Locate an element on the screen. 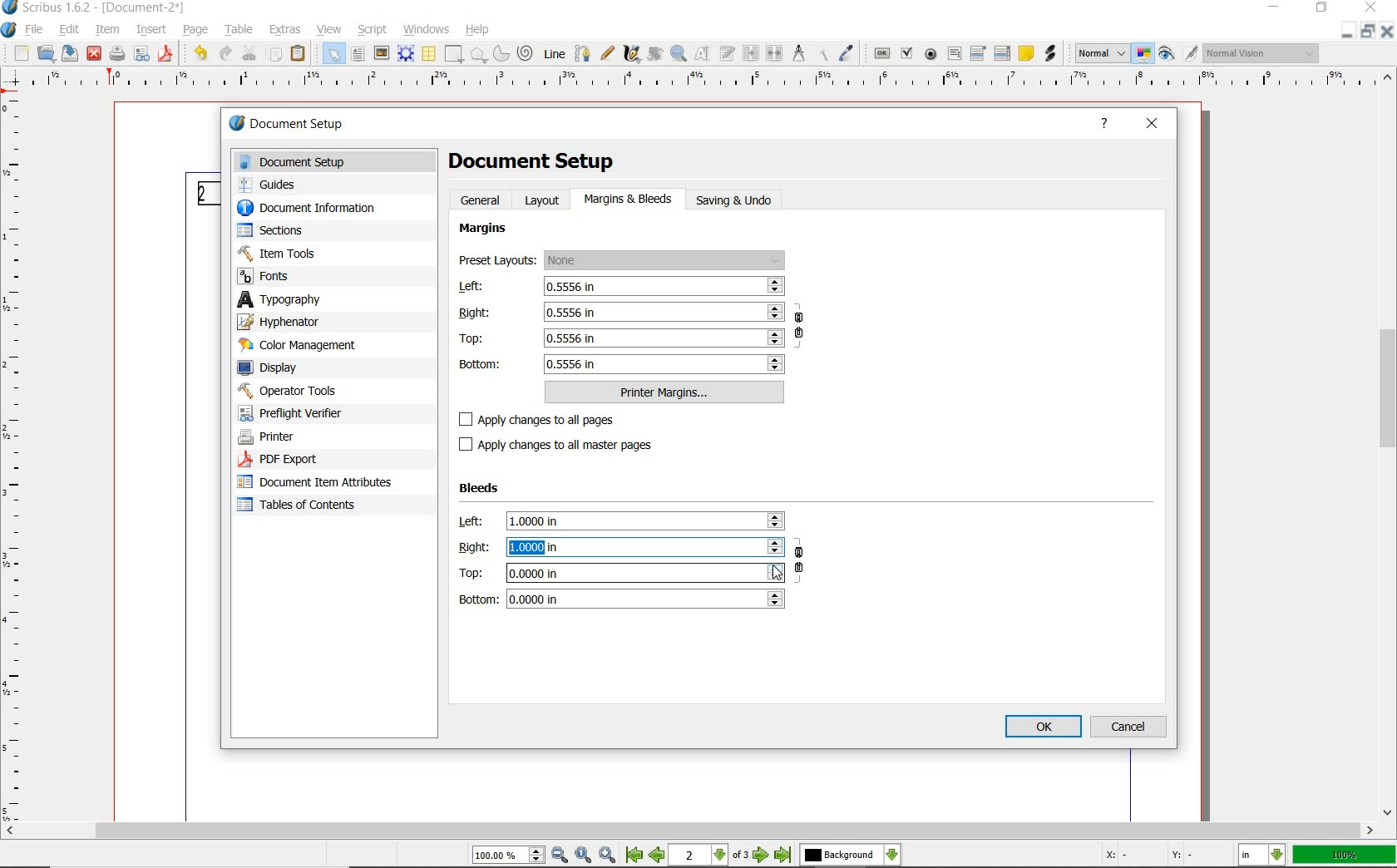  Top is located at coordinates (621, 572).